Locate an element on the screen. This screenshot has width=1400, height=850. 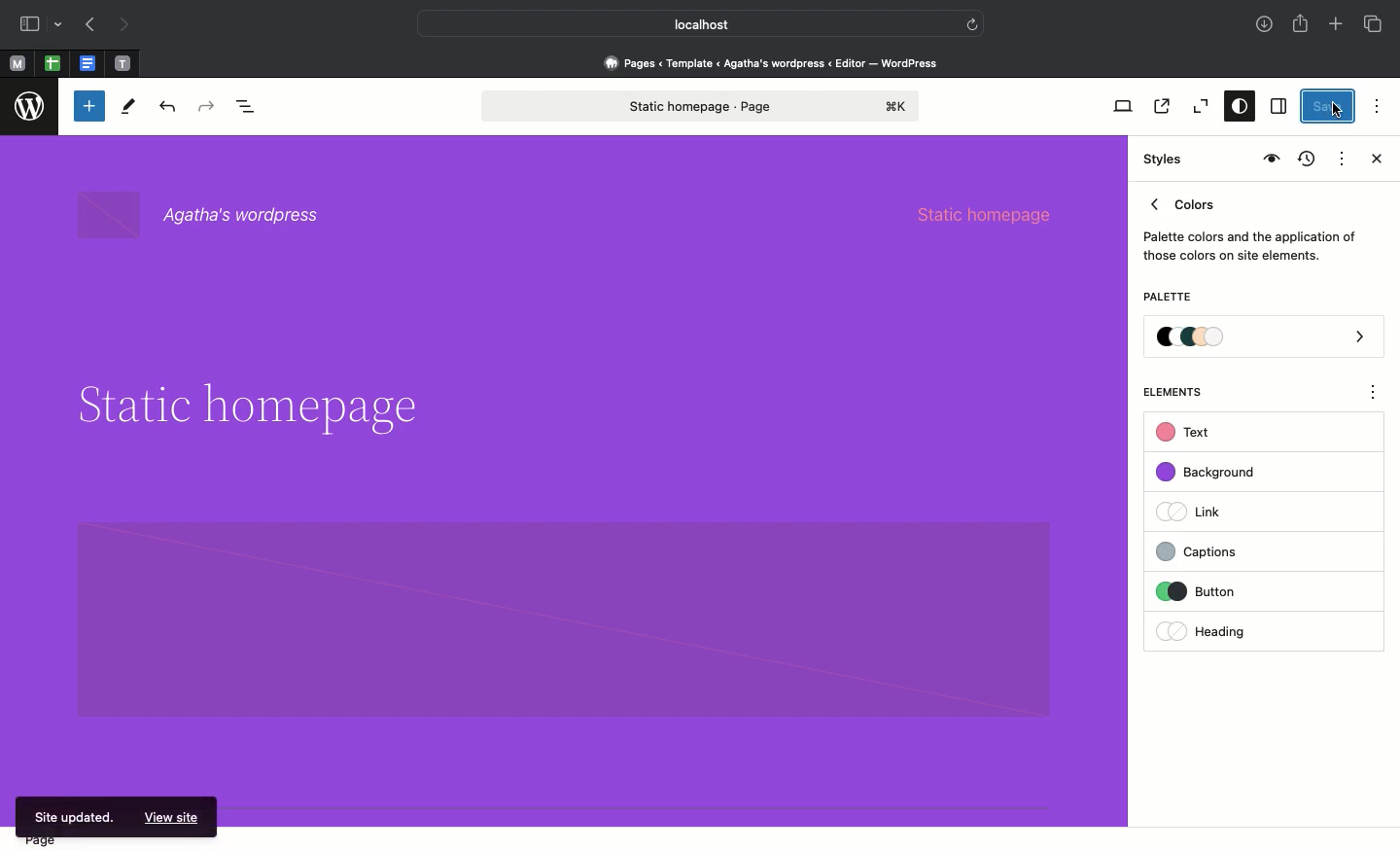
Pages < Template <Agatha's wordpress < editor - wordpress is located at coordinates (778, 62).